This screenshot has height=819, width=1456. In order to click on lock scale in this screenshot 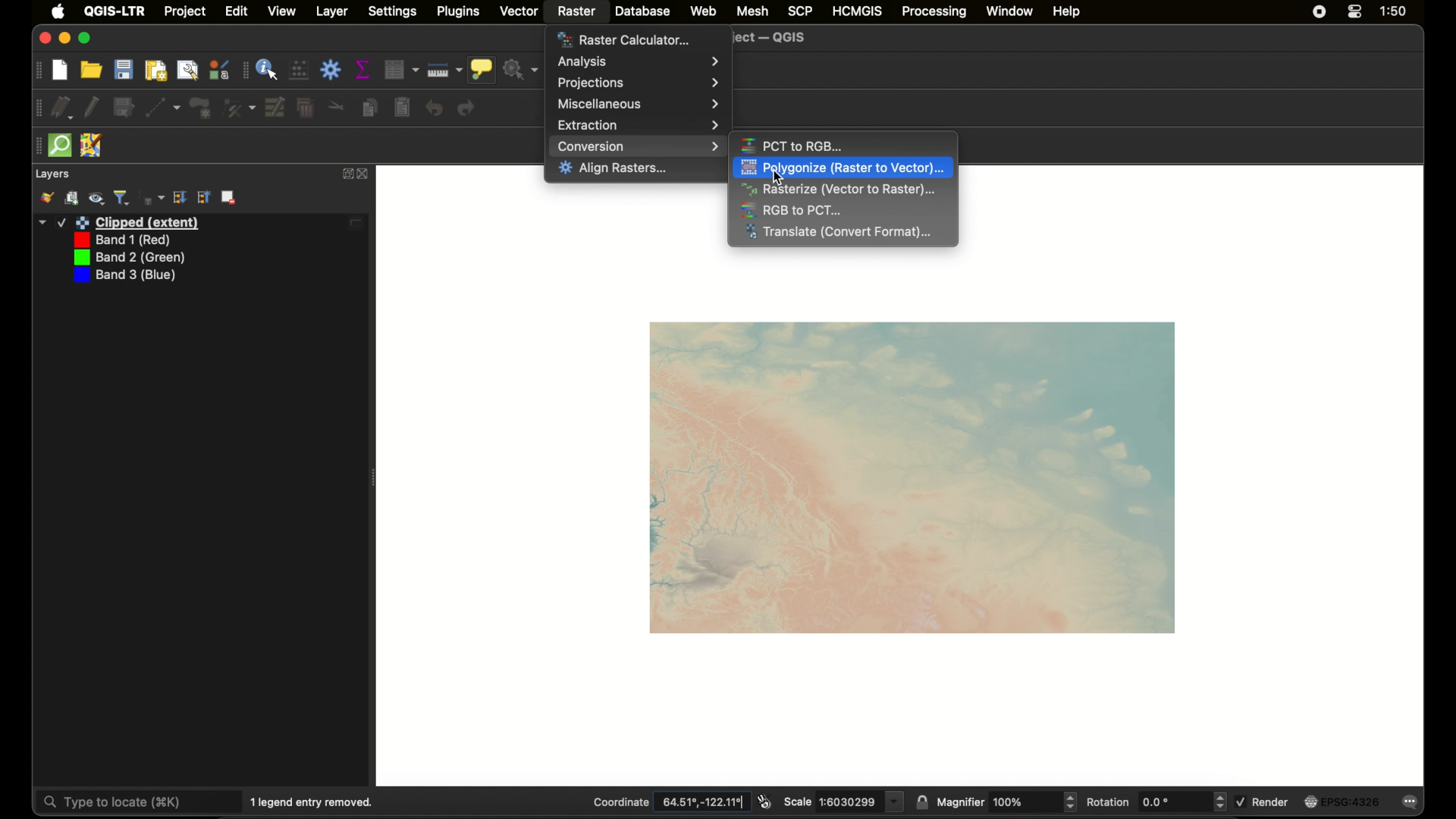, I will do `click(921, 804)`.